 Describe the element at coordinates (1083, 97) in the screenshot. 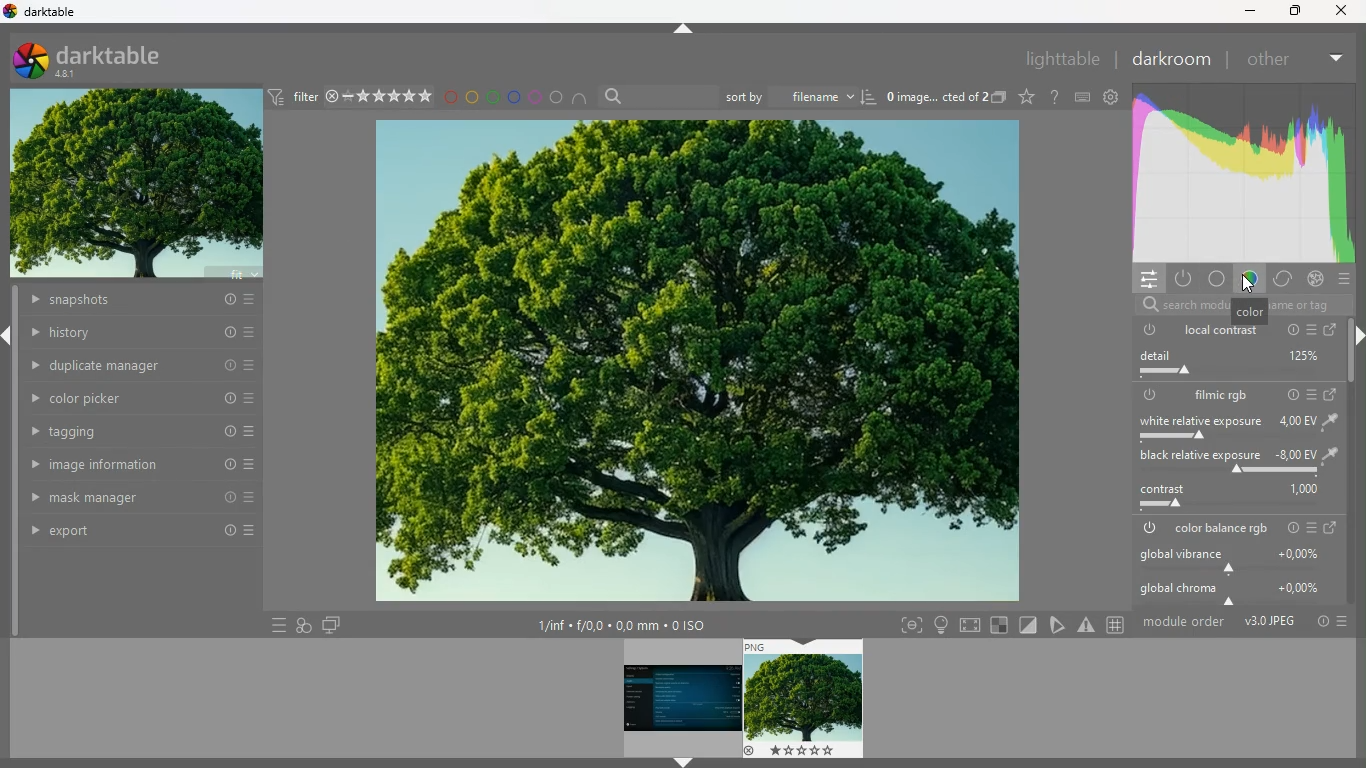

I see `keyboard` at that location.